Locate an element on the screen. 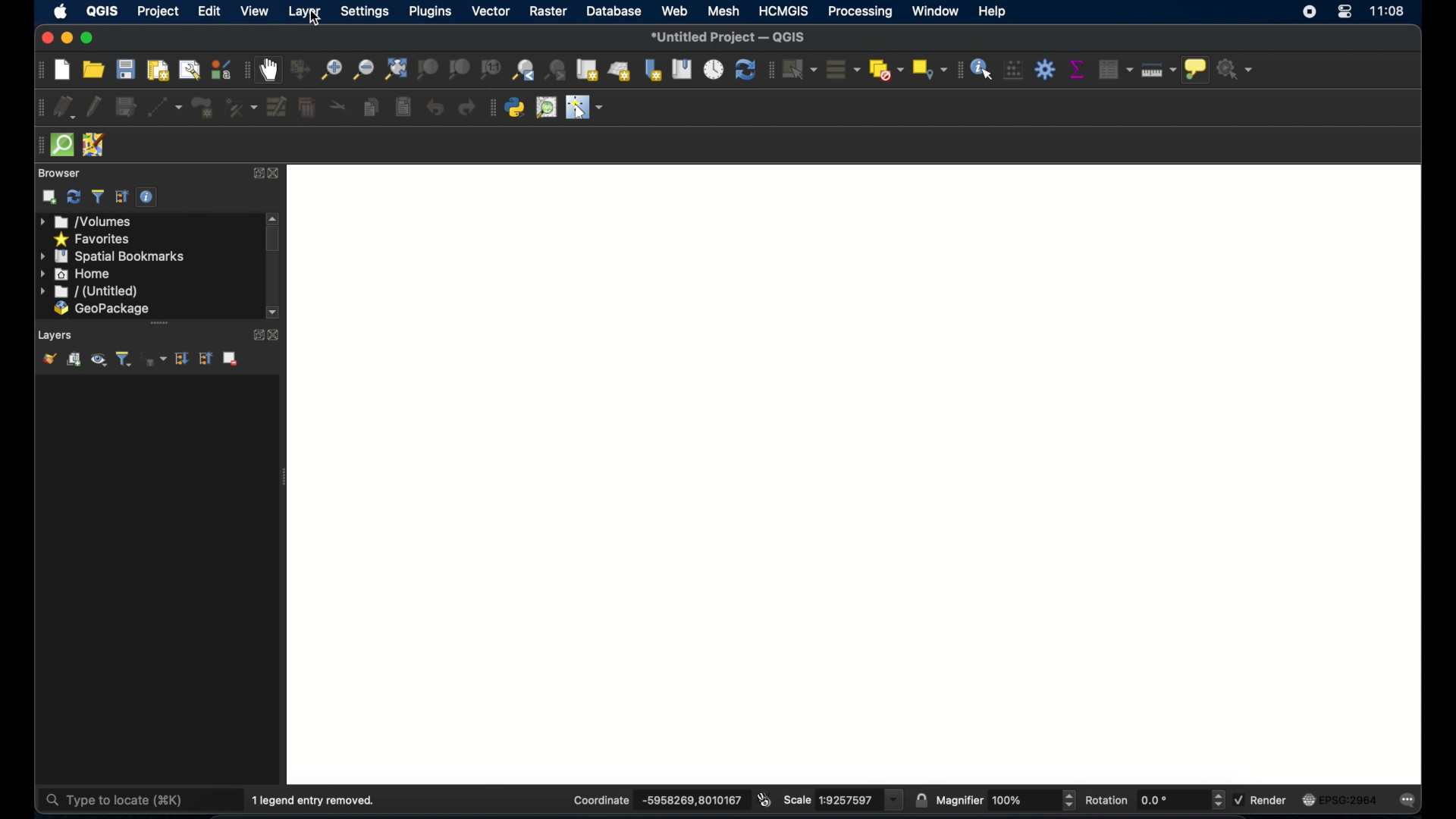 The width and height of the screenshot is (1456, 819). database is located at coordinates (616, 12).